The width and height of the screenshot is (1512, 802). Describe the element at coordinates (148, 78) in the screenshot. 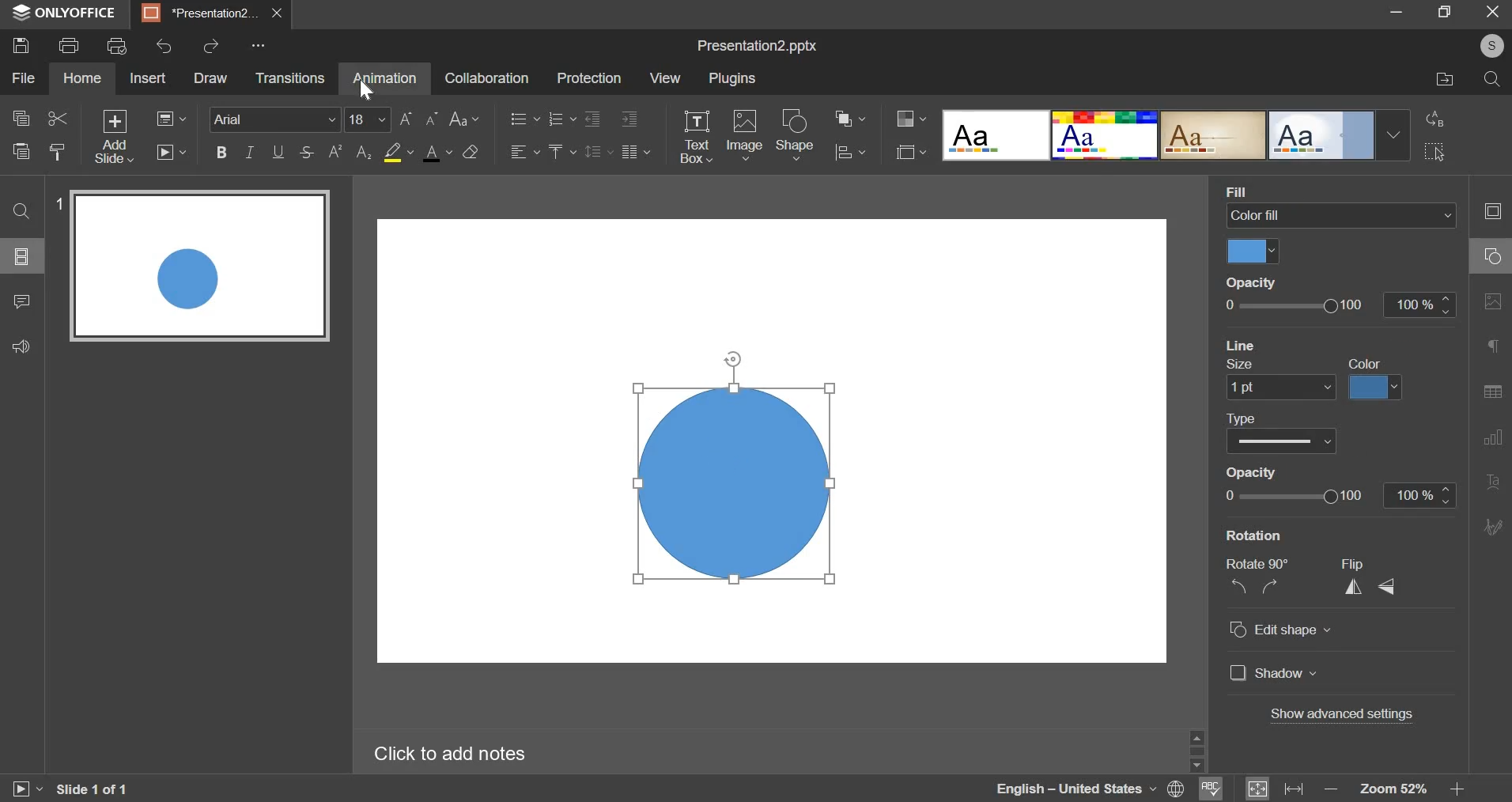

I see `insert` at that location.